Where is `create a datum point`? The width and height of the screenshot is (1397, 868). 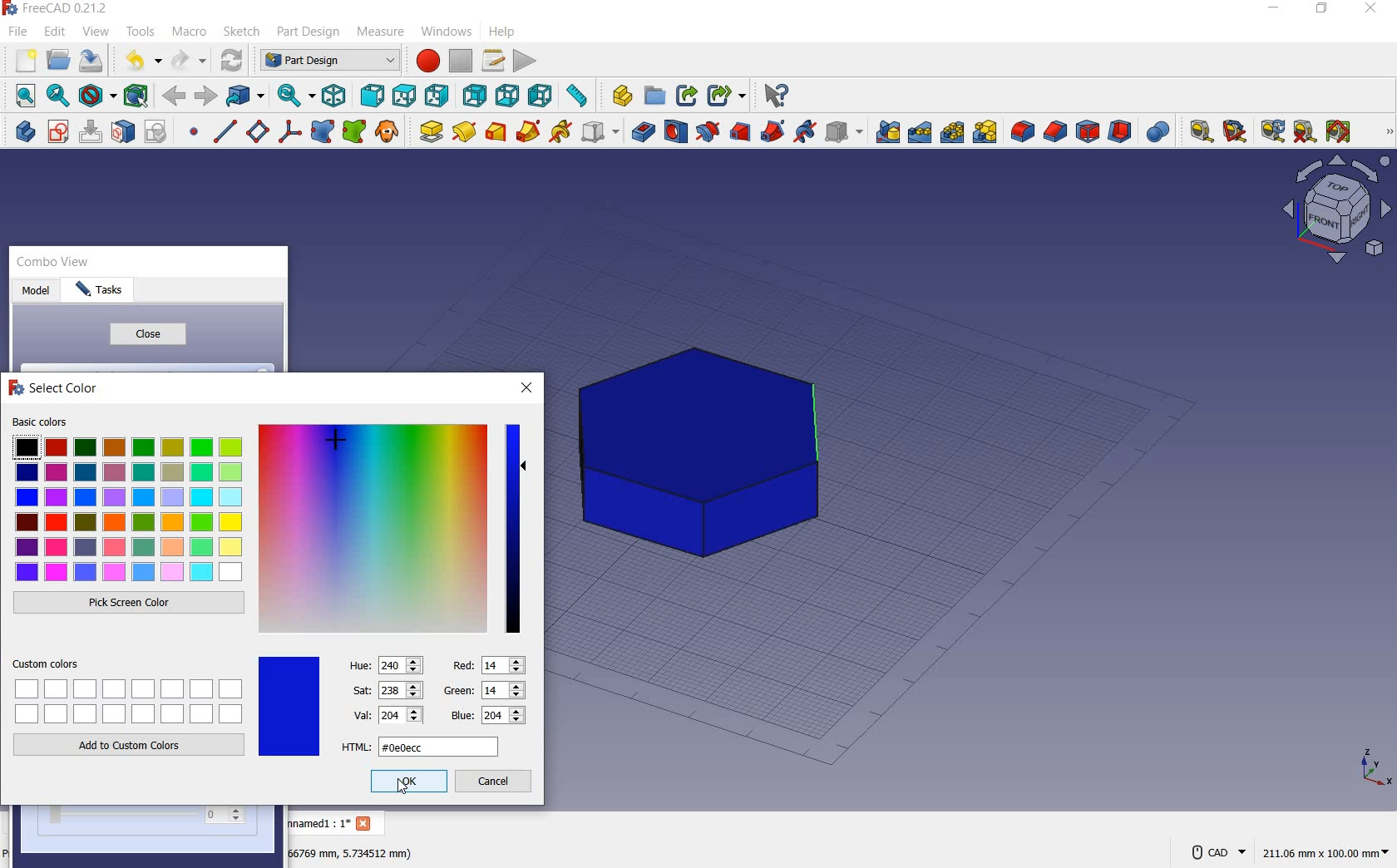
create a datum point is located at coordinates (195, 135).